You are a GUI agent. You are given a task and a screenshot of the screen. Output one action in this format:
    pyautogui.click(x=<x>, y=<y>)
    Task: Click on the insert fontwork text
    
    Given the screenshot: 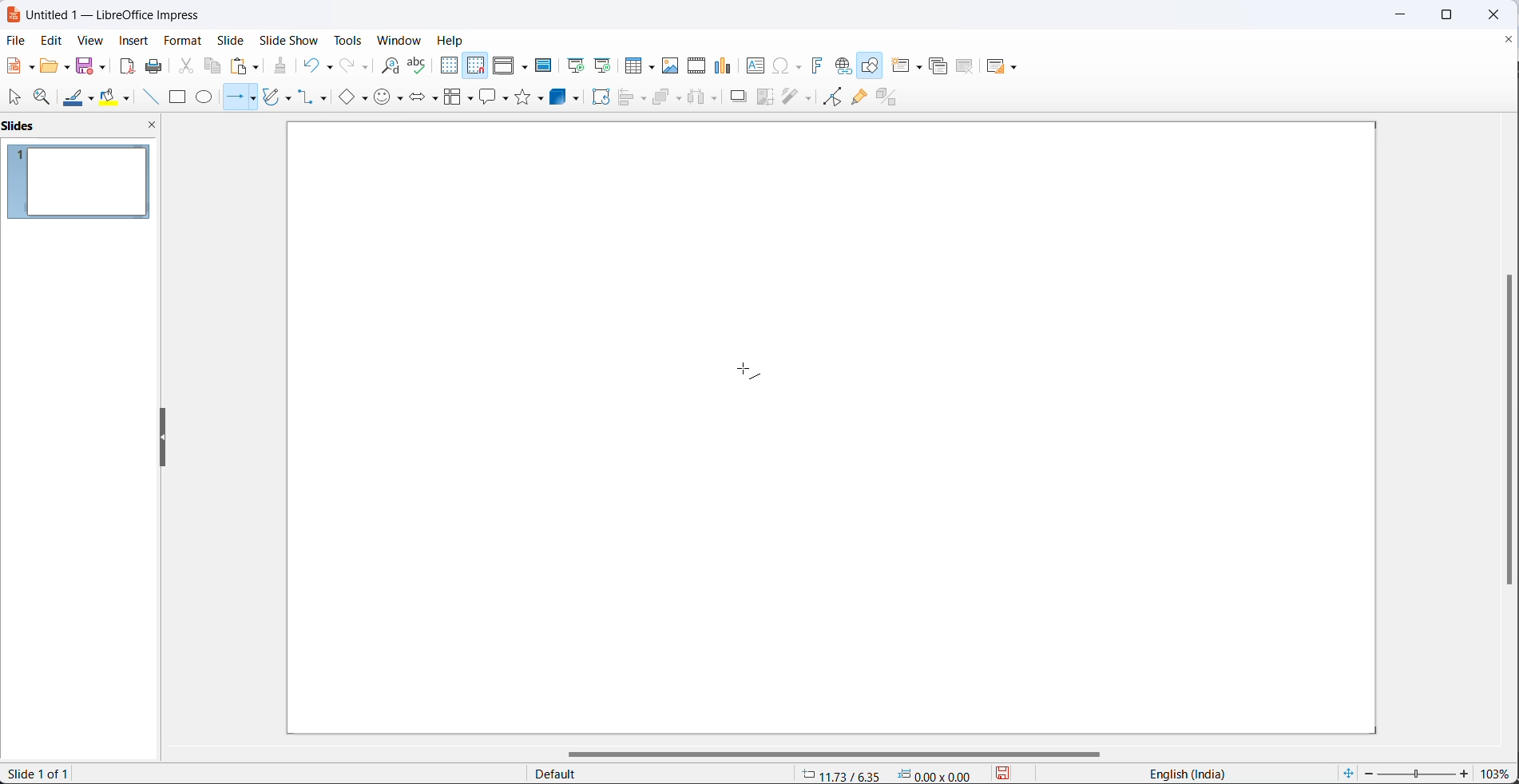 What is the action you would take?
    pyautogui.click(x=816, y=65)
    